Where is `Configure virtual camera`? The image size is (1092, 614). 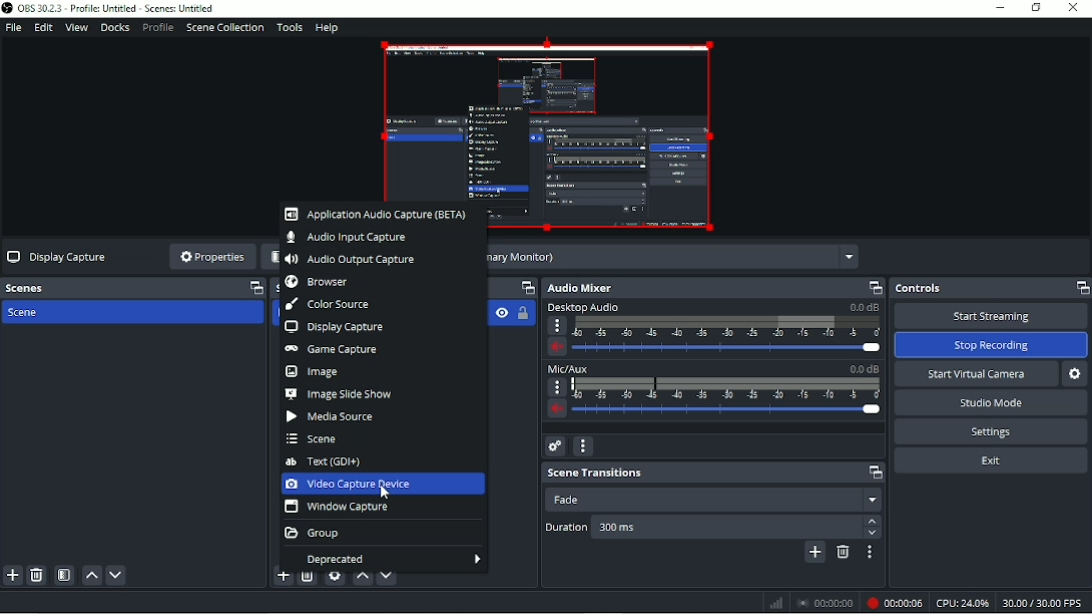
Configure virtual camera is located at coordinates (1075, 374).